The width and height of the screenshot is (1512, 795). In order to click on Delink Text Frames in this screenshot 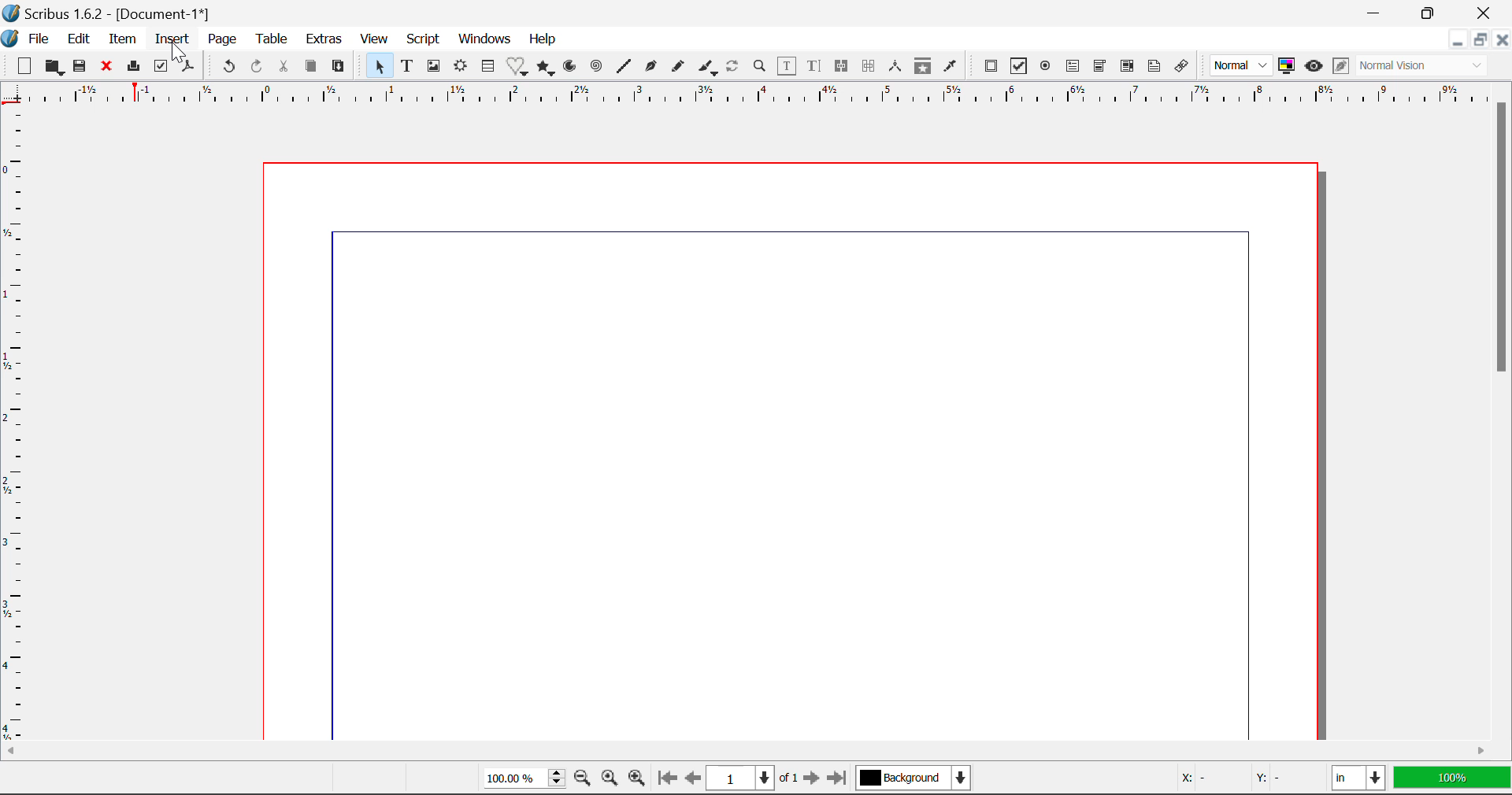, I will do `click(870, 66)`.